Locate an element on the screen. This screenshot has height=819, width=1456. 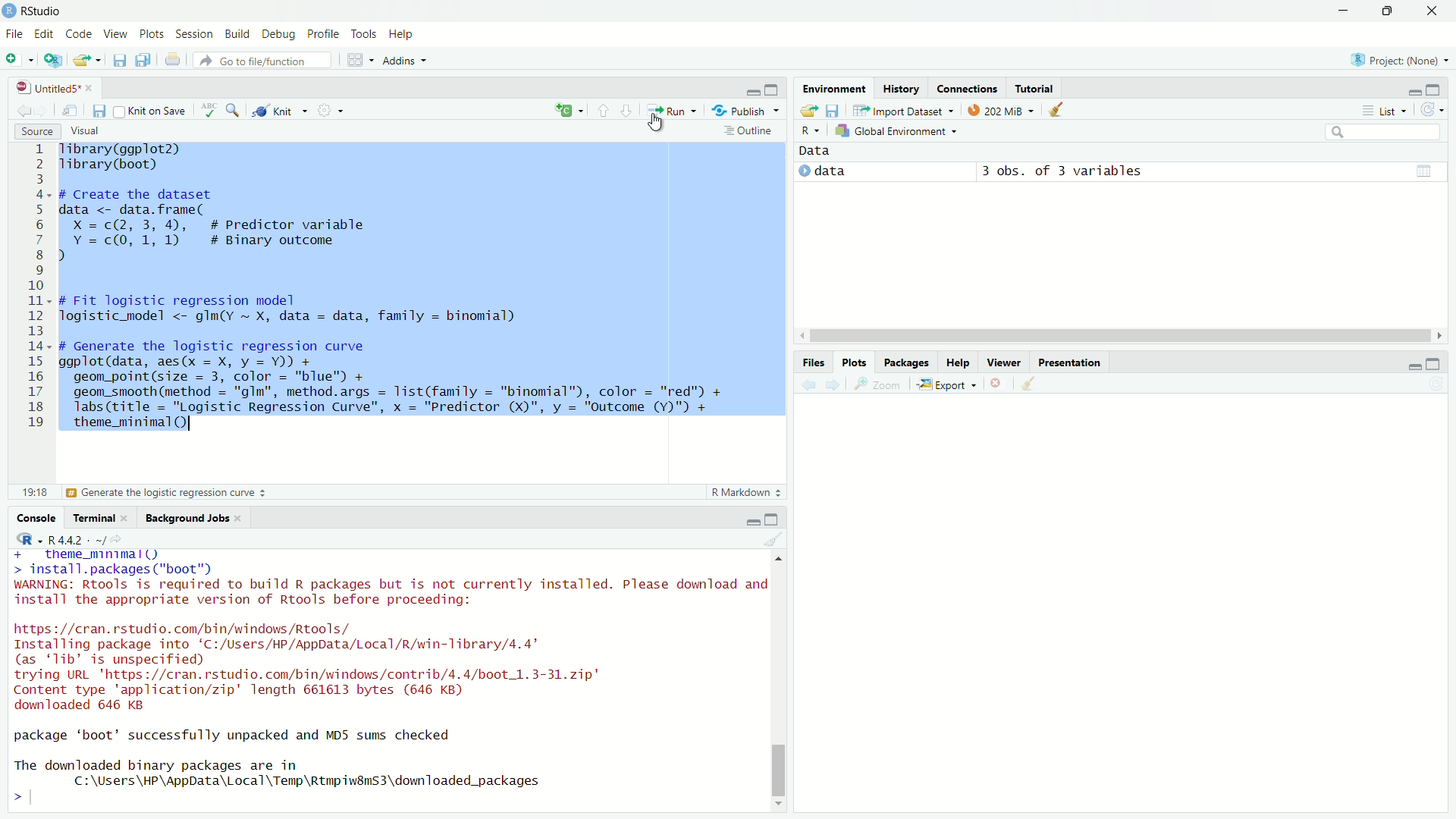
minimize is located at coordinates (753, 521).